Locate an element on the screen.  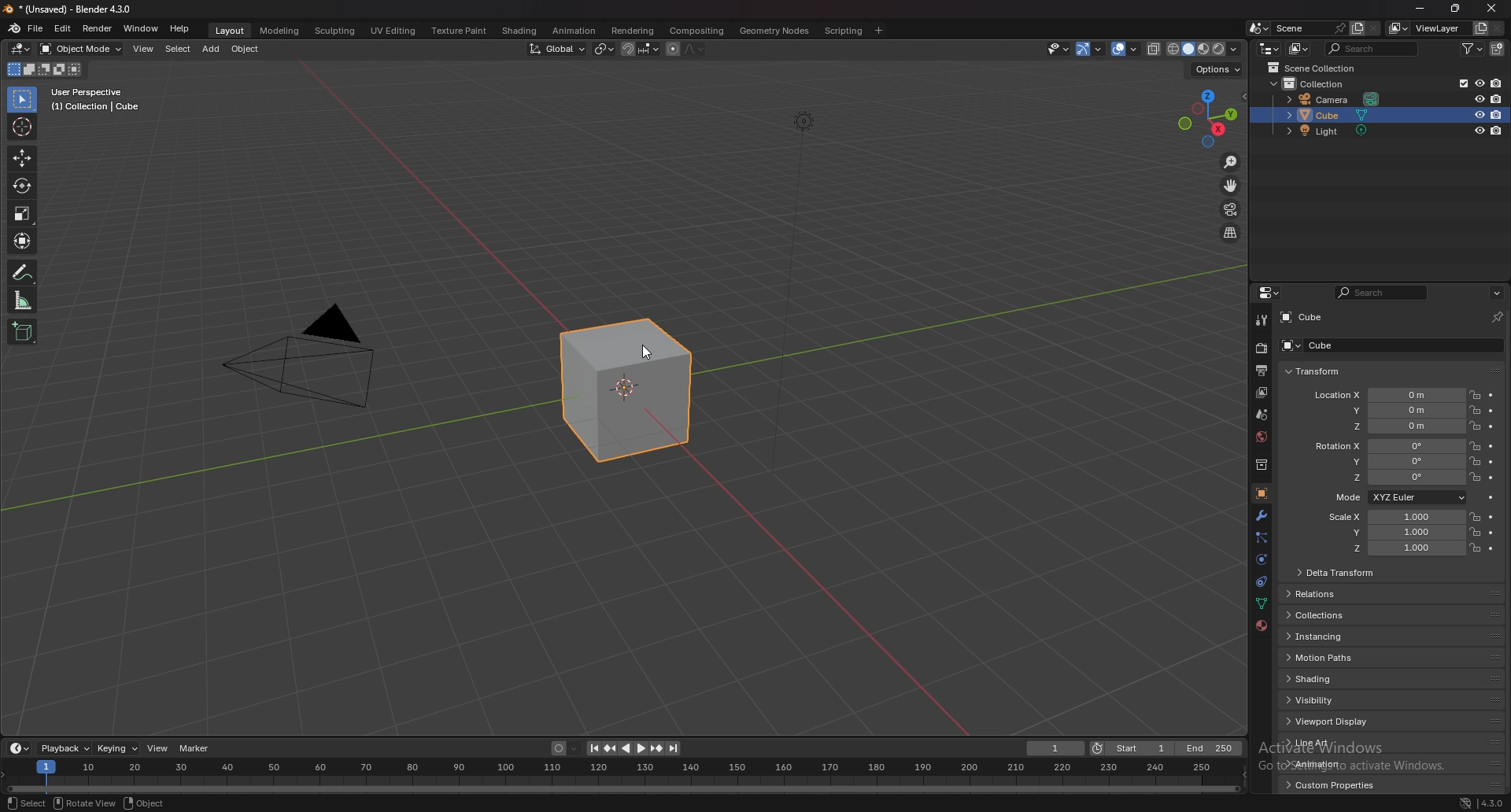
seek is located at coordinates (624, 777).